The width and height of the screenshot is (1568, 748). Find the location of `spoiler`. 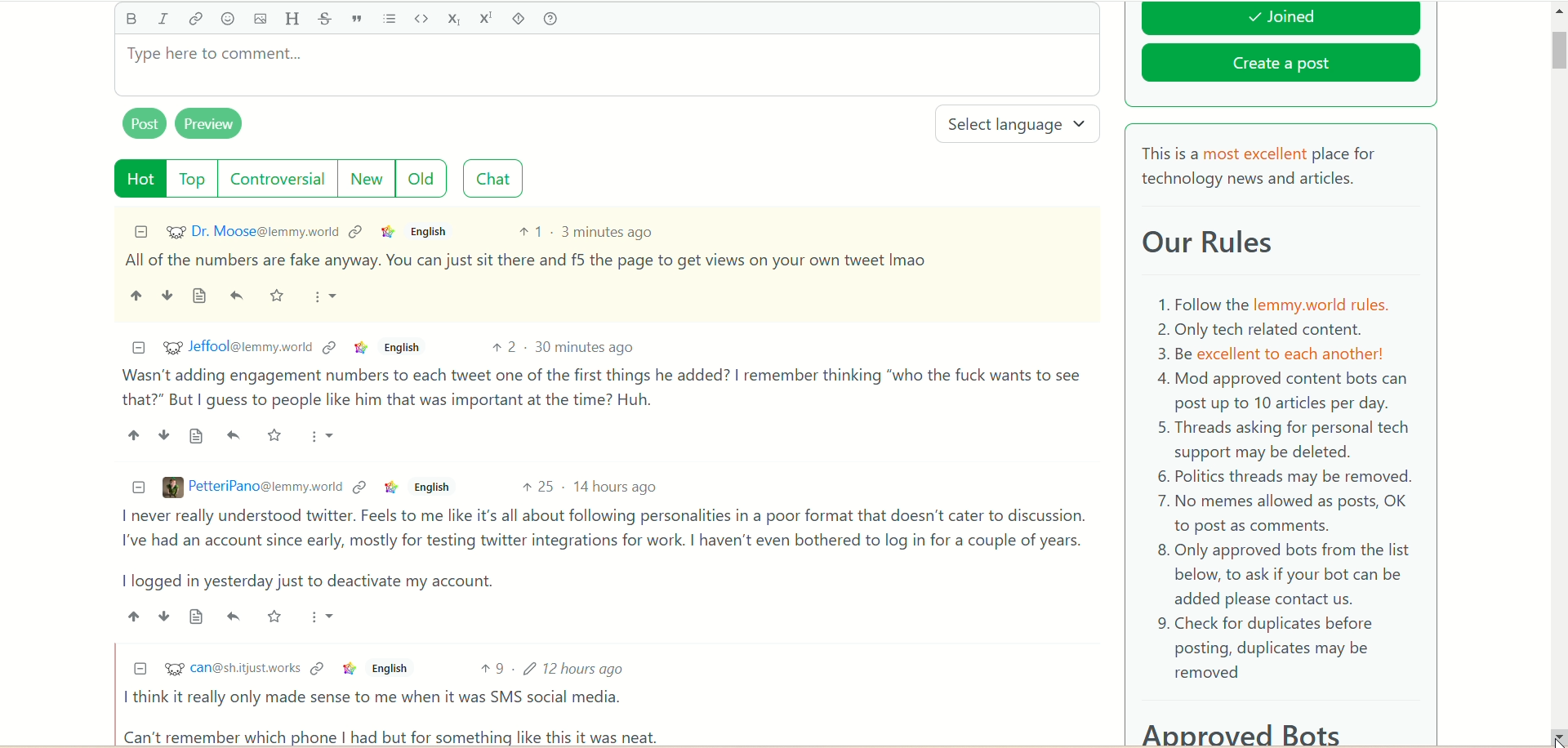

spoiler is located at coordinates (519, 19).